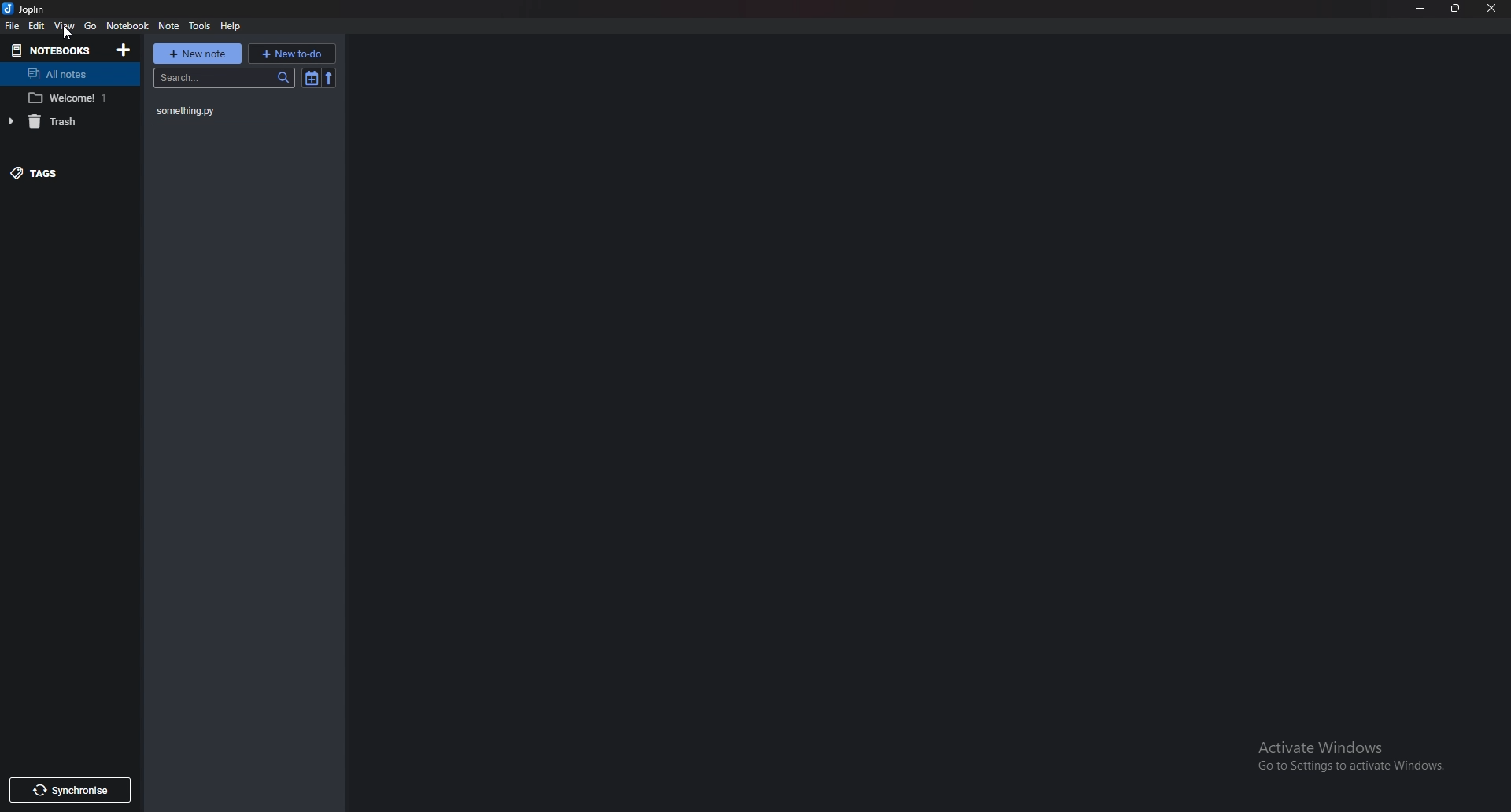 The image size is (1511, 812). What do you see at coordinates (67, 98) in the screenshot?
I see `Notebook` at bounding box center [67, 98].